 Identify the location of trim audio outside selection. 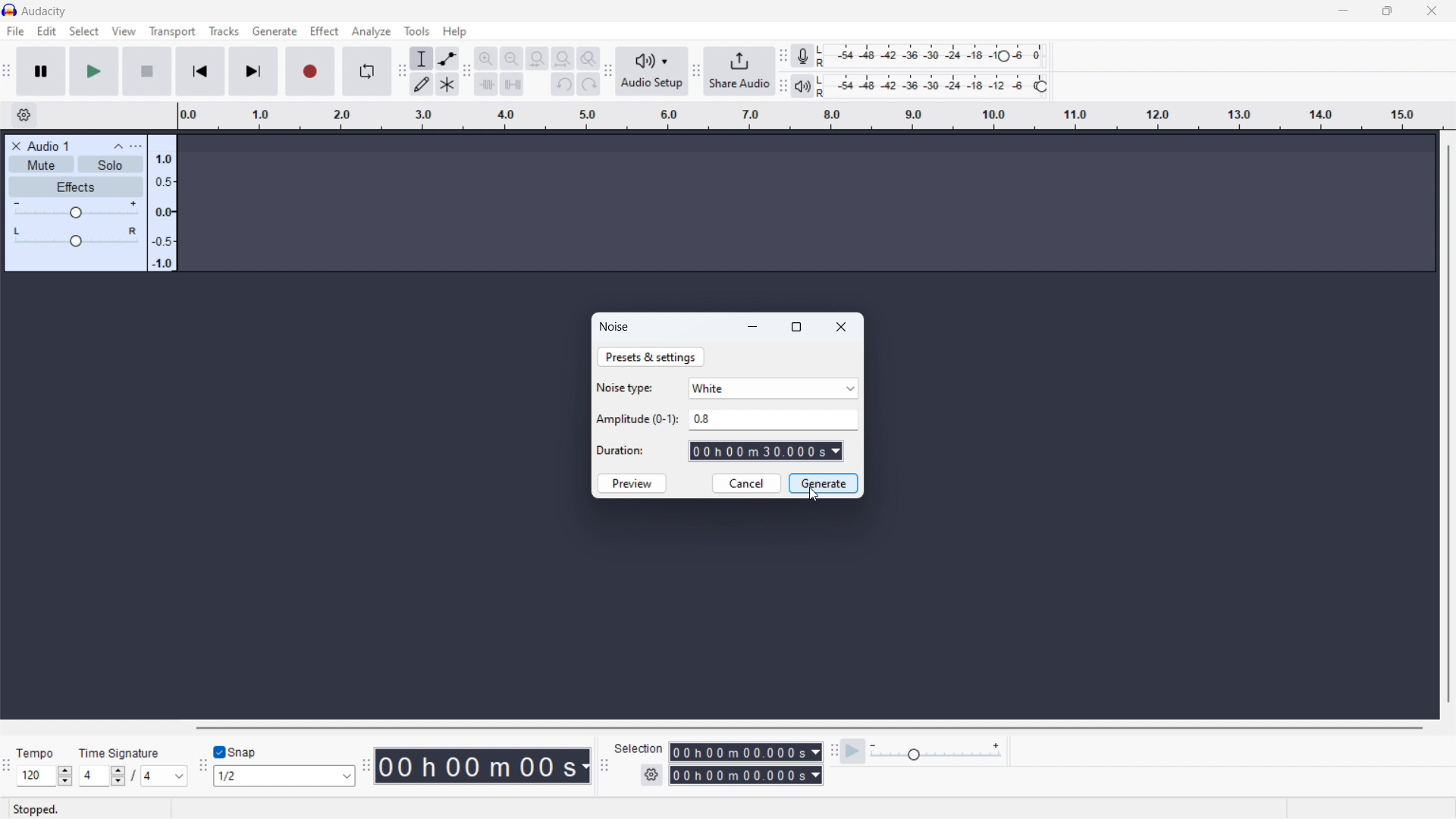
(487, 83).